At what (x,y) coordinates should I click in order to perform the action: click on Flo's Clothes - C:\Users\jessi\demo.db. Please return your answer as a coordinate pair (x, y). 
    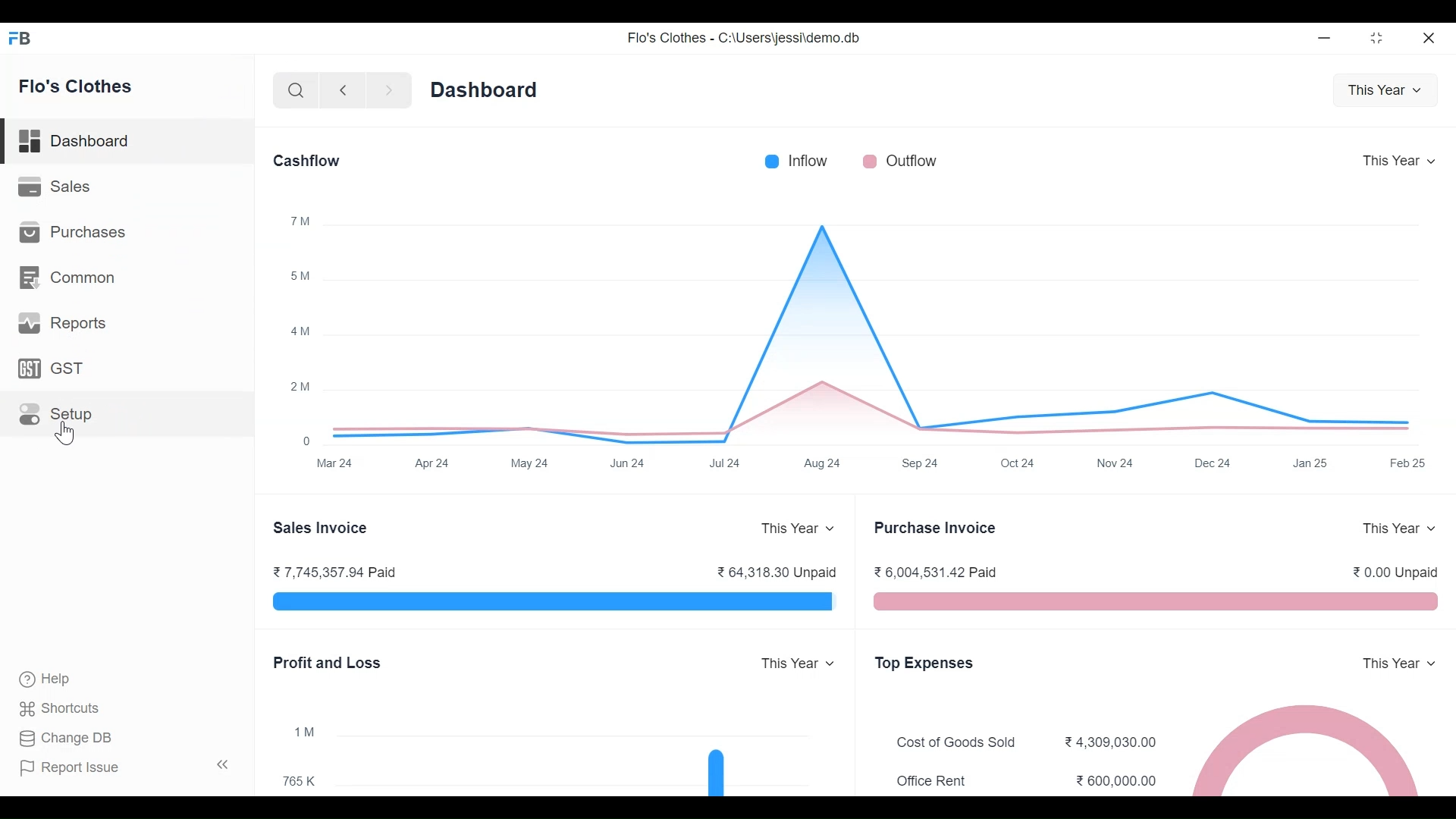
    Looking at the image, I should click on (742, 38).